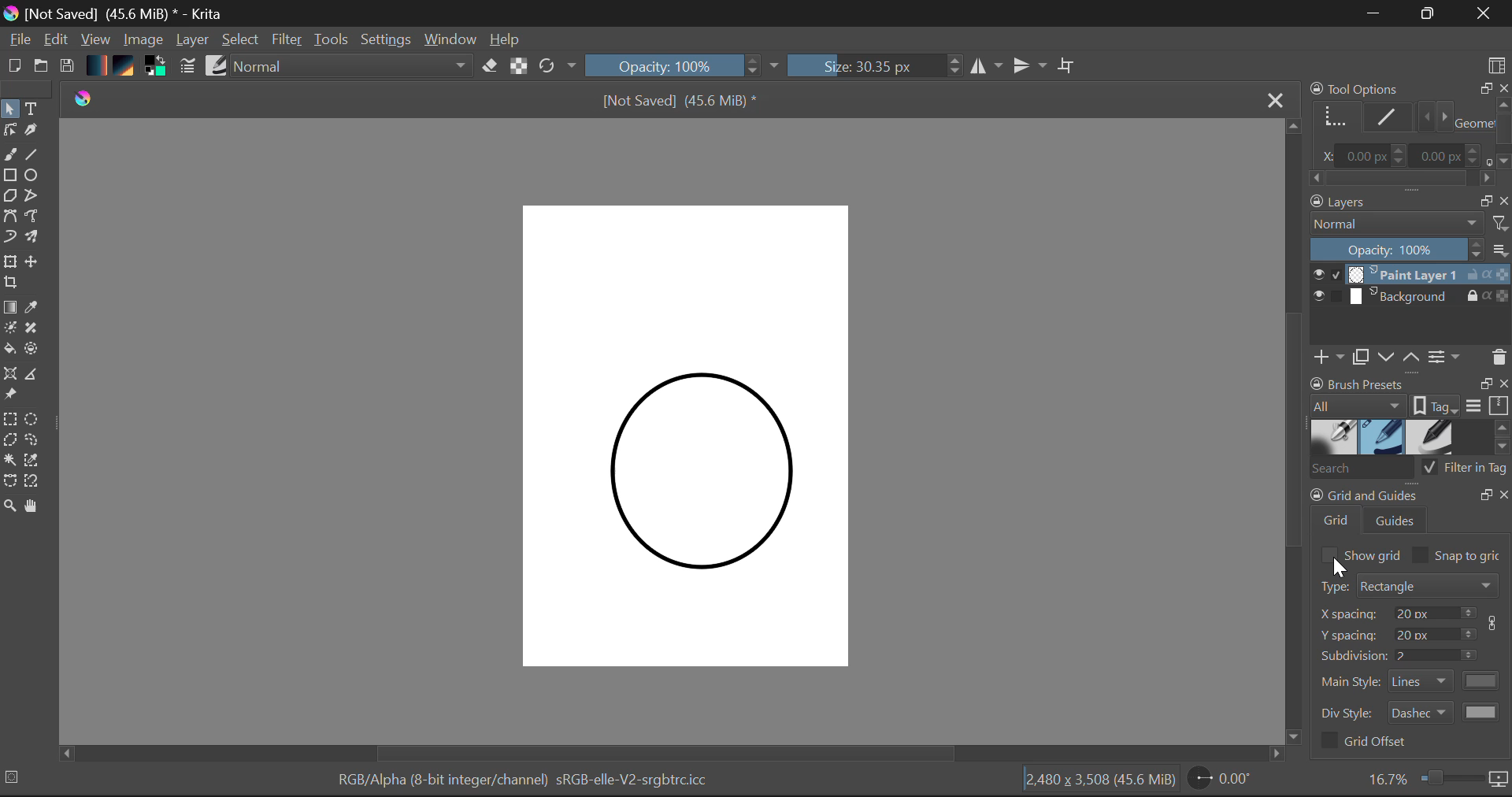 The image size is (1512, 797). Describe the element at coordinates (387, 42) in the screenshot. I see `Settings` at that location.